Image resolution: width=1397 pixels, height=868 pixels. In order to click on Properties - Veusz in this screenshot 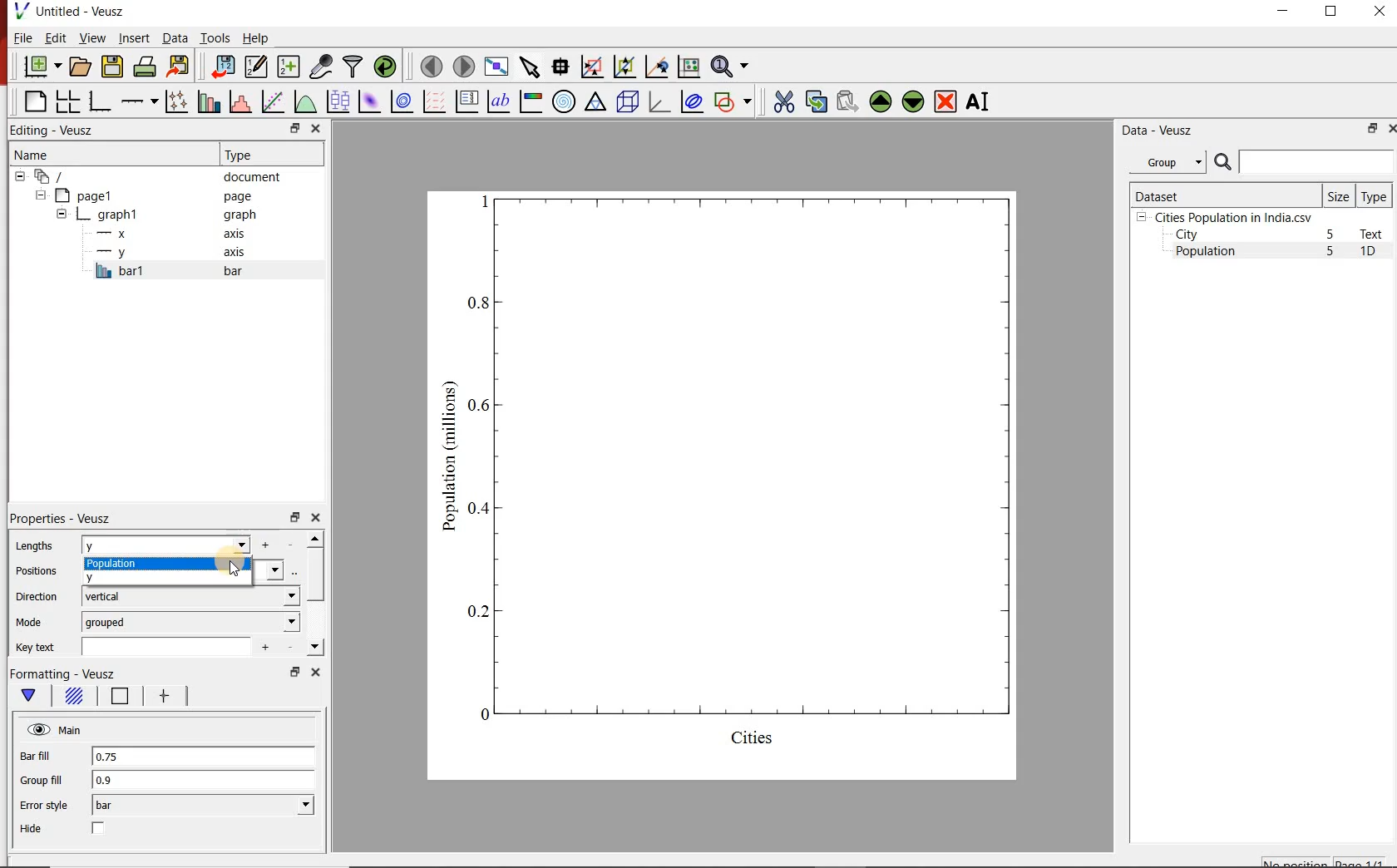, I will do `click(60, 519)`.